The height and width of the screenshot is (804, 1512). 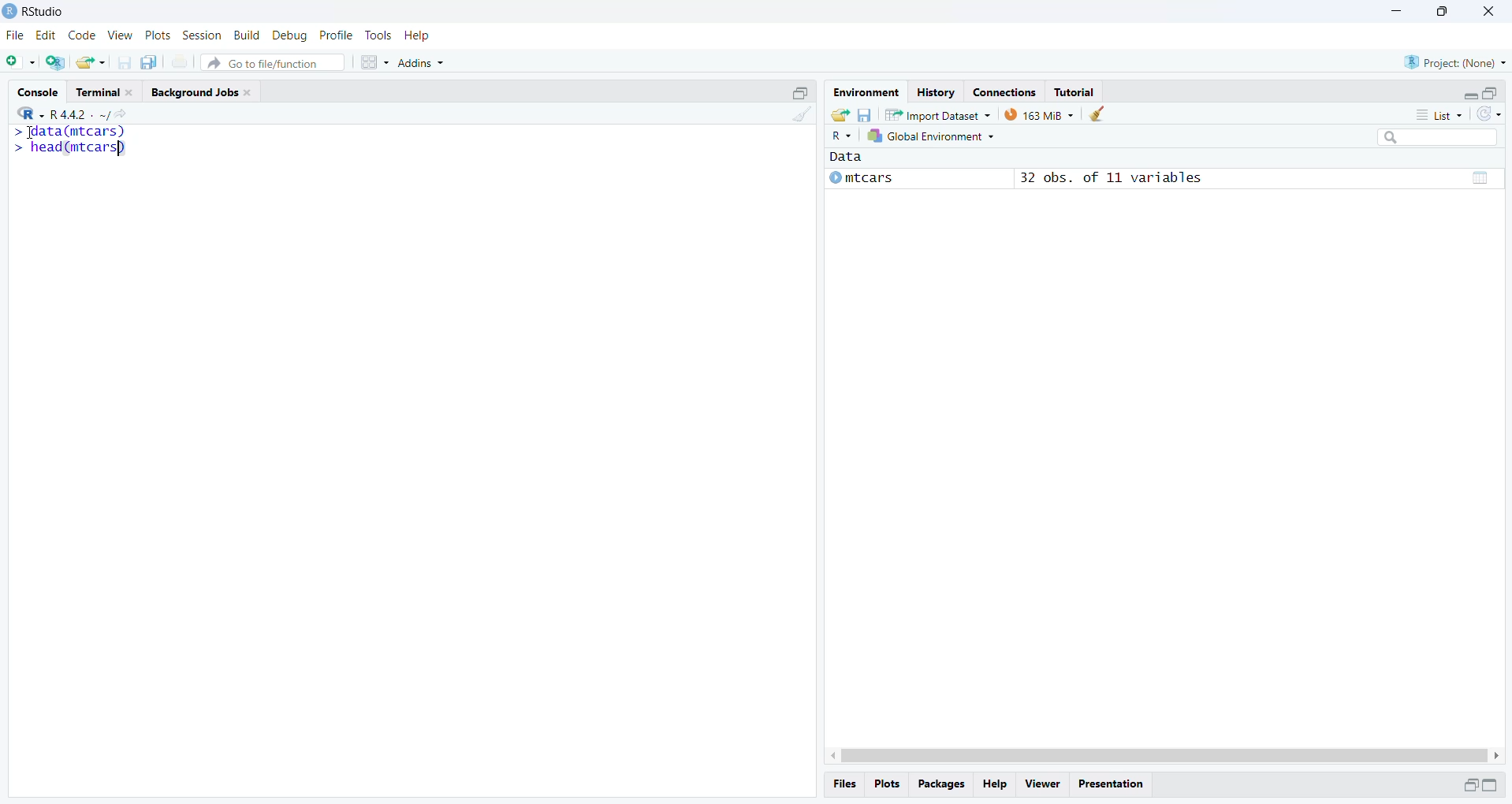 I want to click on Tutorial, so click(x=1076, y=92).